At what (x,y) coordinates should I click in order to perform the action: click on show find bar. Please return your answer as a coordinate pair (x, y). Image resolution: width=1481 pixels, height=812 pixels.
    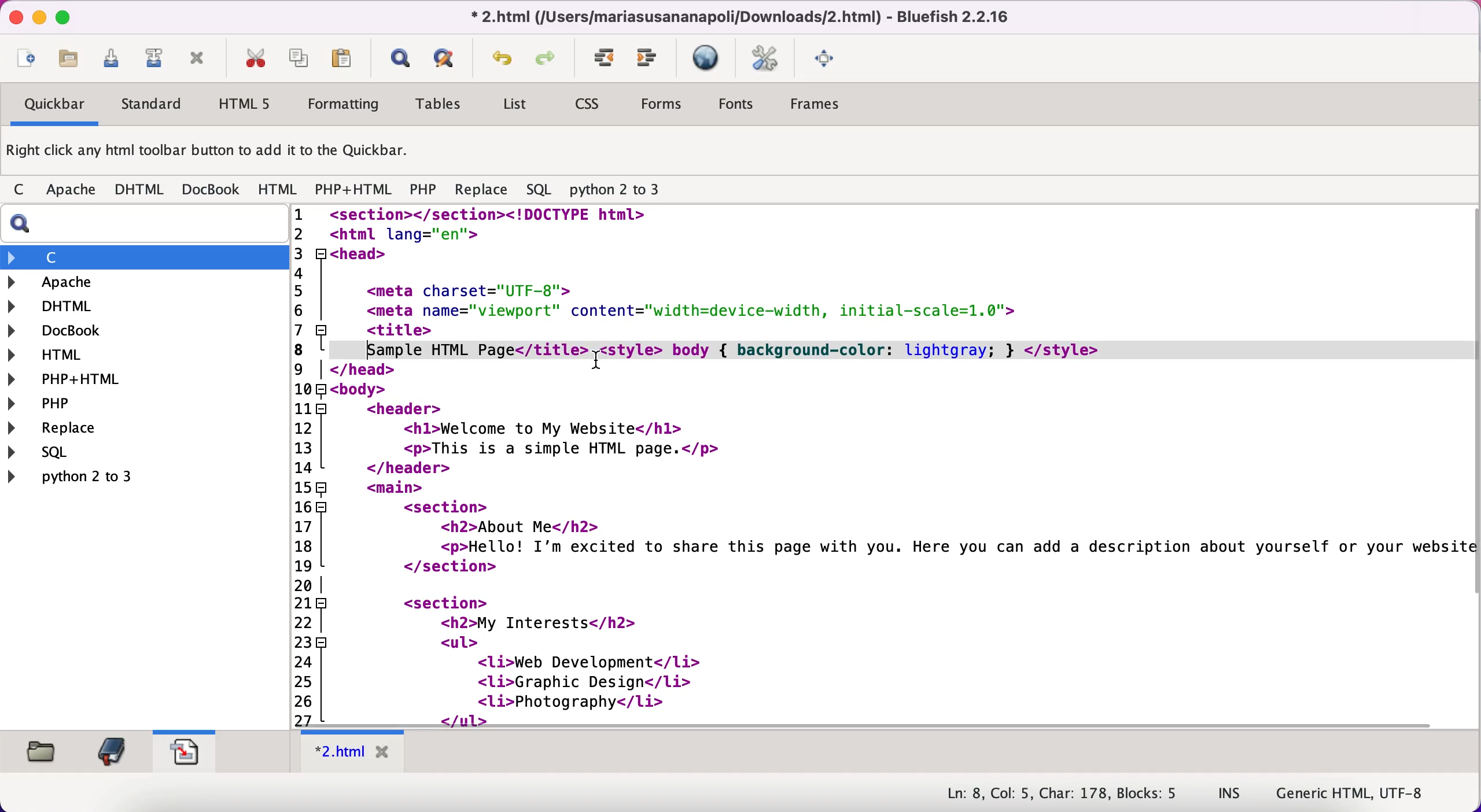
    Looking at the image, I should click on (400, 60).